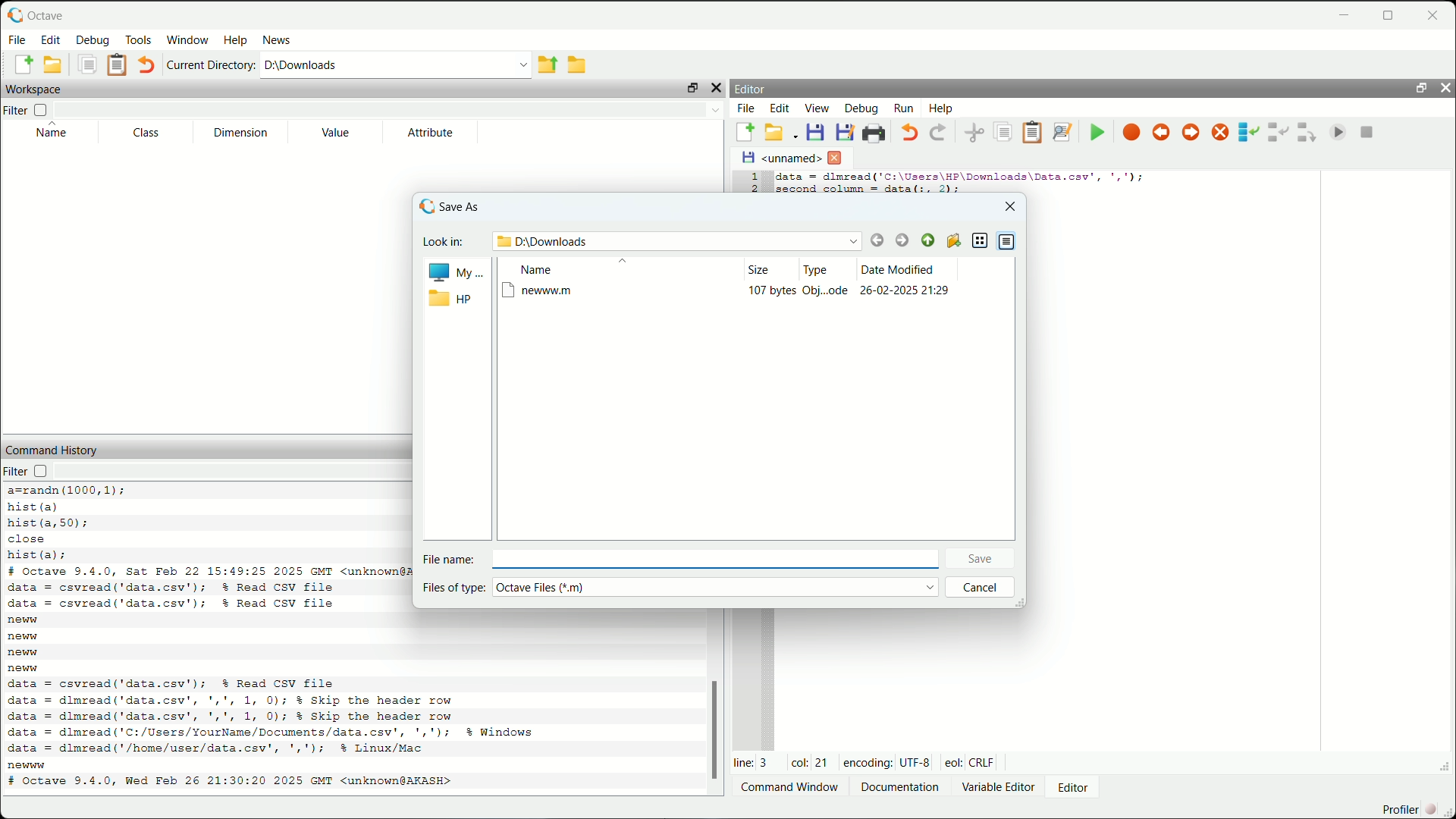 This screenshot has height=819, width=1456. I want to click on copy, so click(89, 67).